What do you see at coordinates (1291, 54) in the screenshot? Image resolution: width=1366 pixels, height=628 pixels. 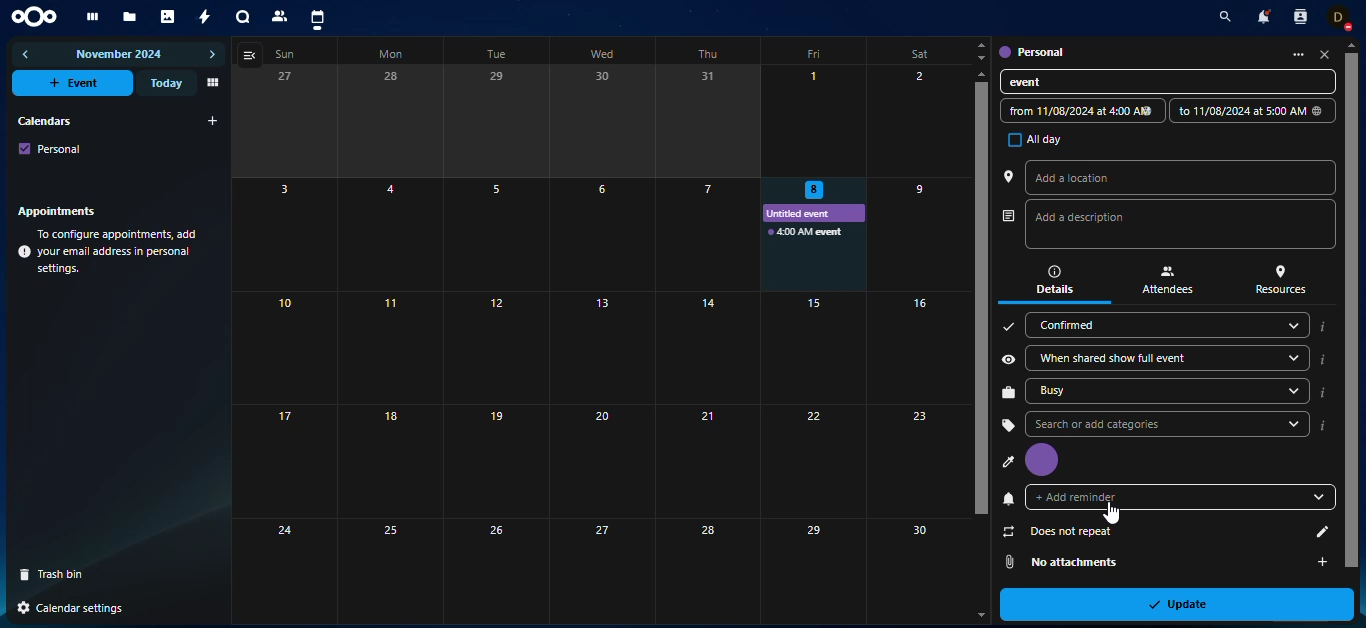 I see `more` at bounding box center [1291, 54].